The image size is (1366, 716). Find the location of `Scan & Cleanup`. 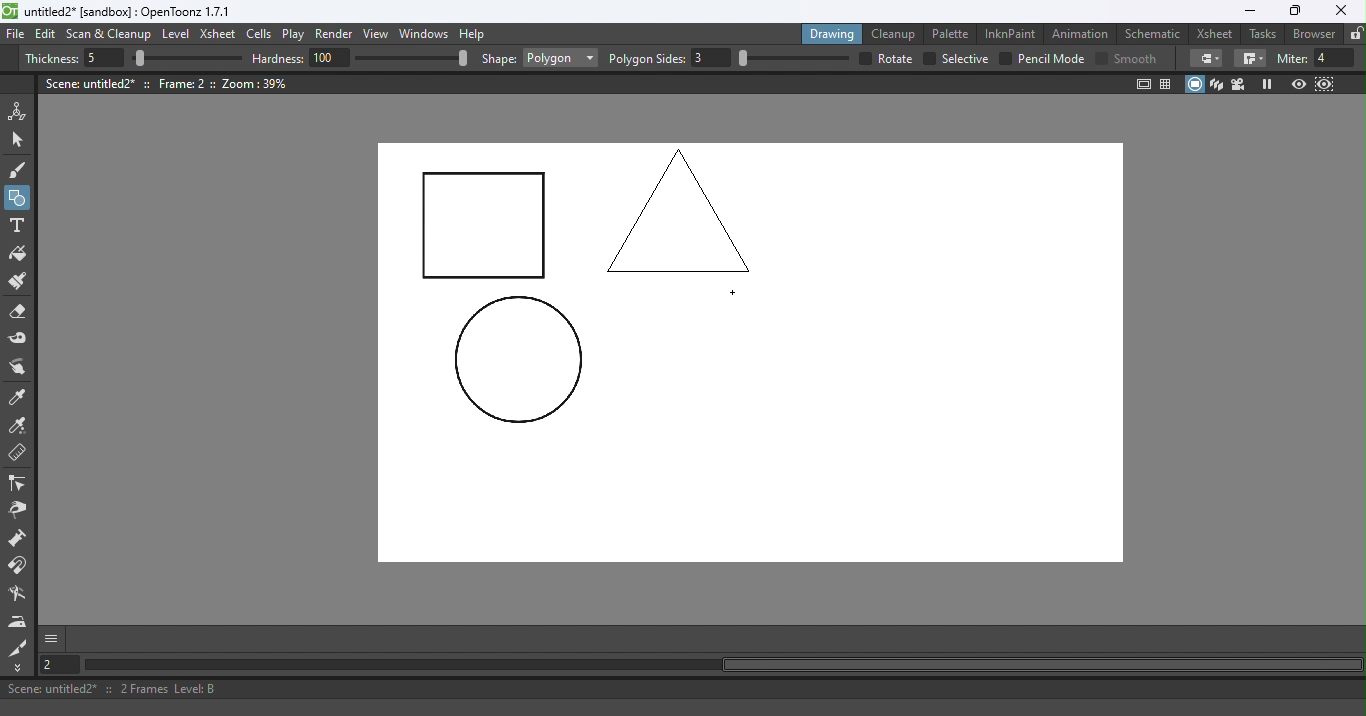

Scan & Cleanup is located at coordinates (109, 36).